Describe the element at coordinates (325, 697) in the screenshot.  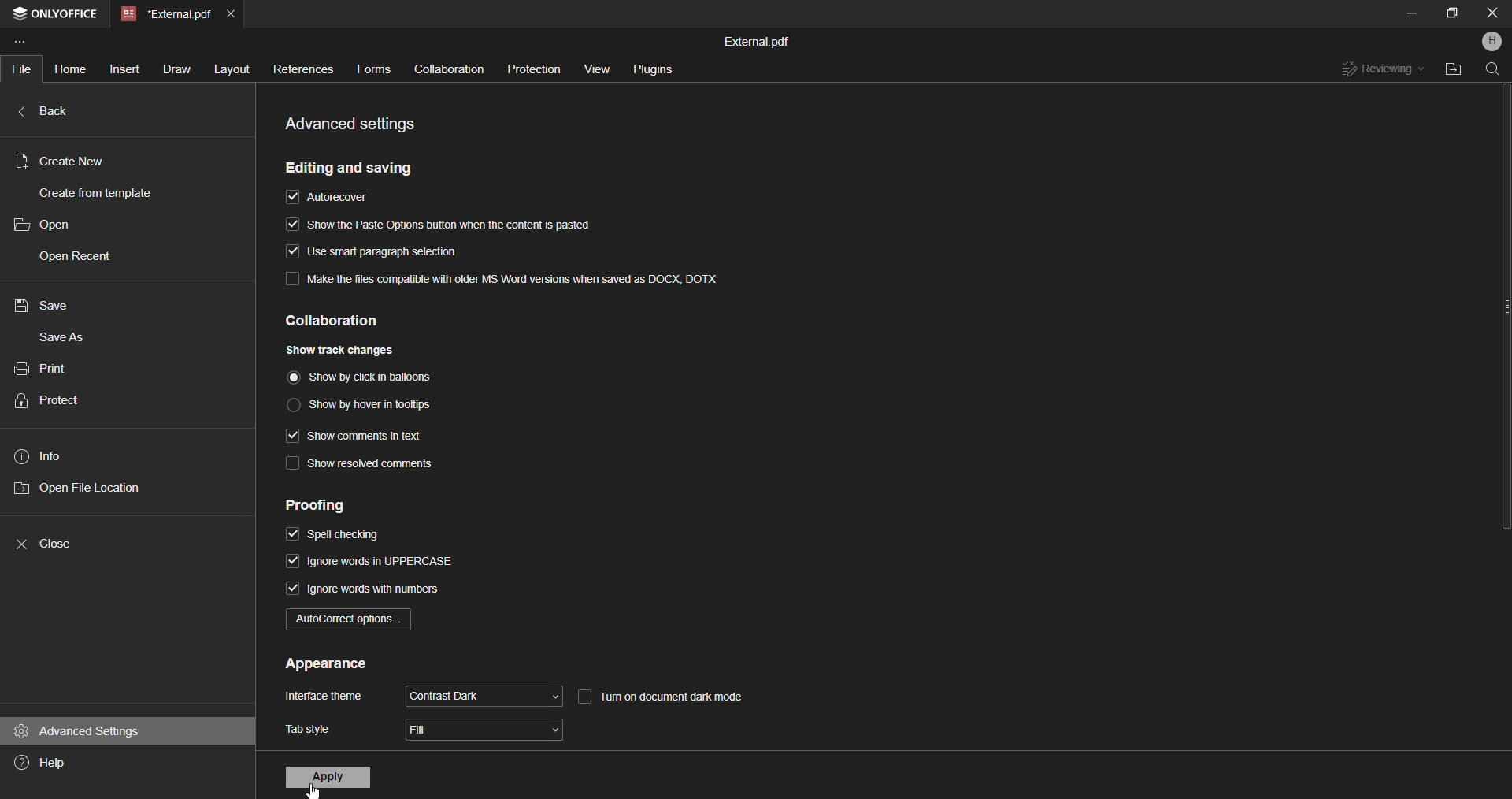
I see `interface theme` at that location.